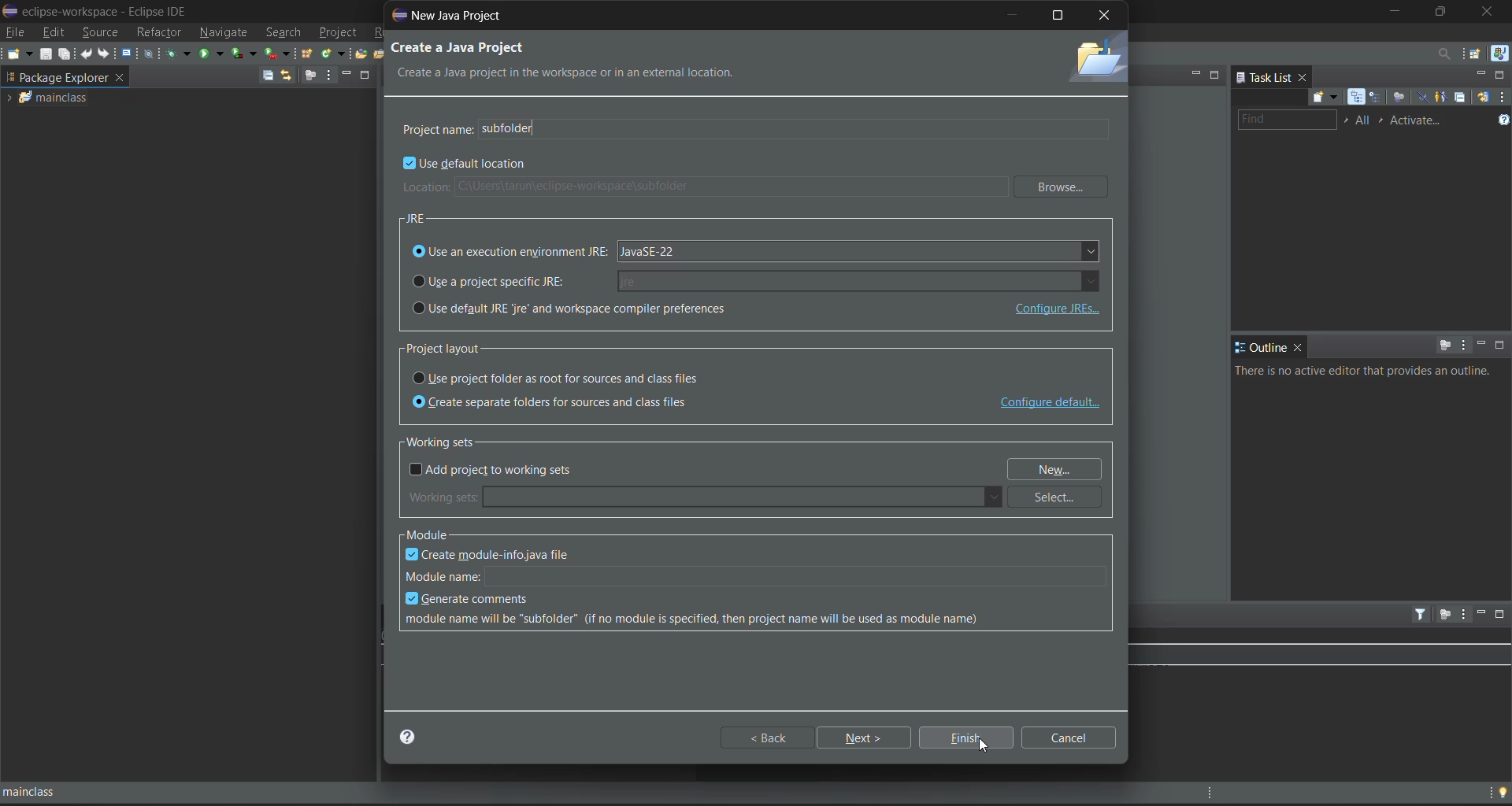 This screenshot has height=806, width=1512. I want to click on close, so click(1104, 17).